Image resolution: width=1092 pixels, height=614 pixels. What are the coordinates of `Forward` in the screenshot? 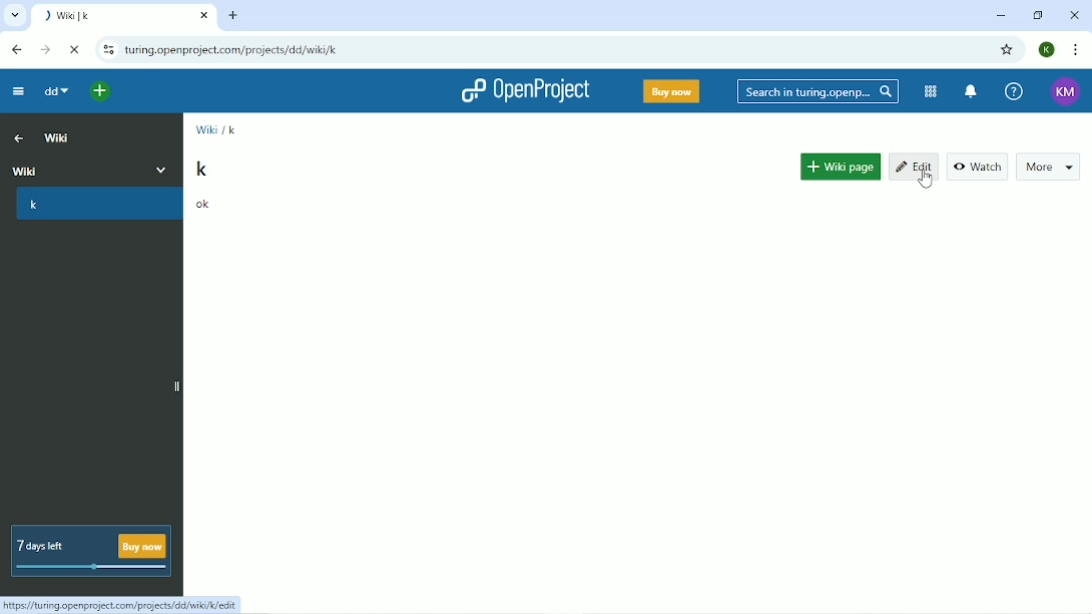 It's located at (45, 50).